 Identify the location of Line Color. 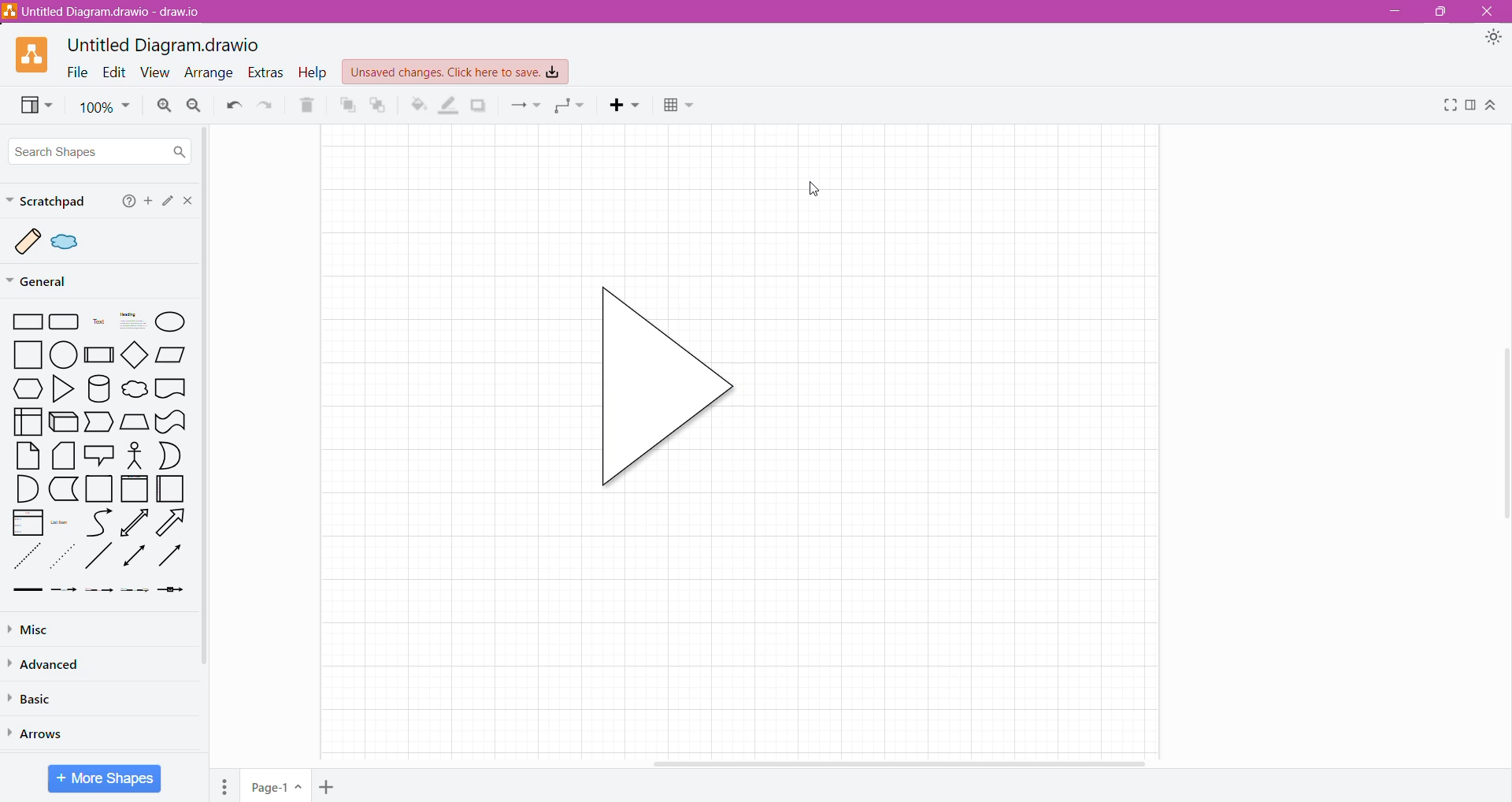
(449, 106).